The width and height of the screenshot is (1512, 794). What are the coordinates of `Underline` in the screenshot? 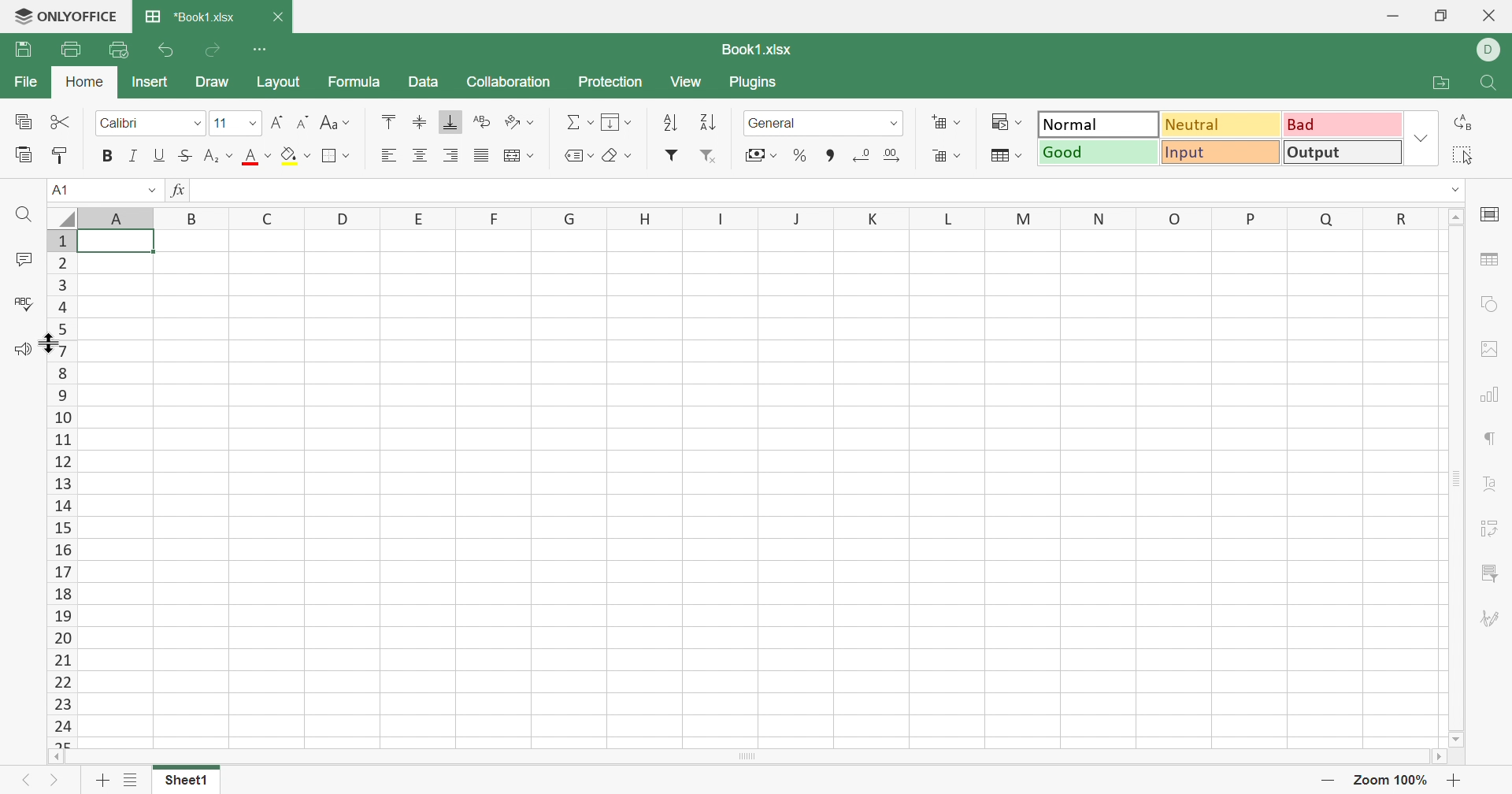 It's located at (160, 156).